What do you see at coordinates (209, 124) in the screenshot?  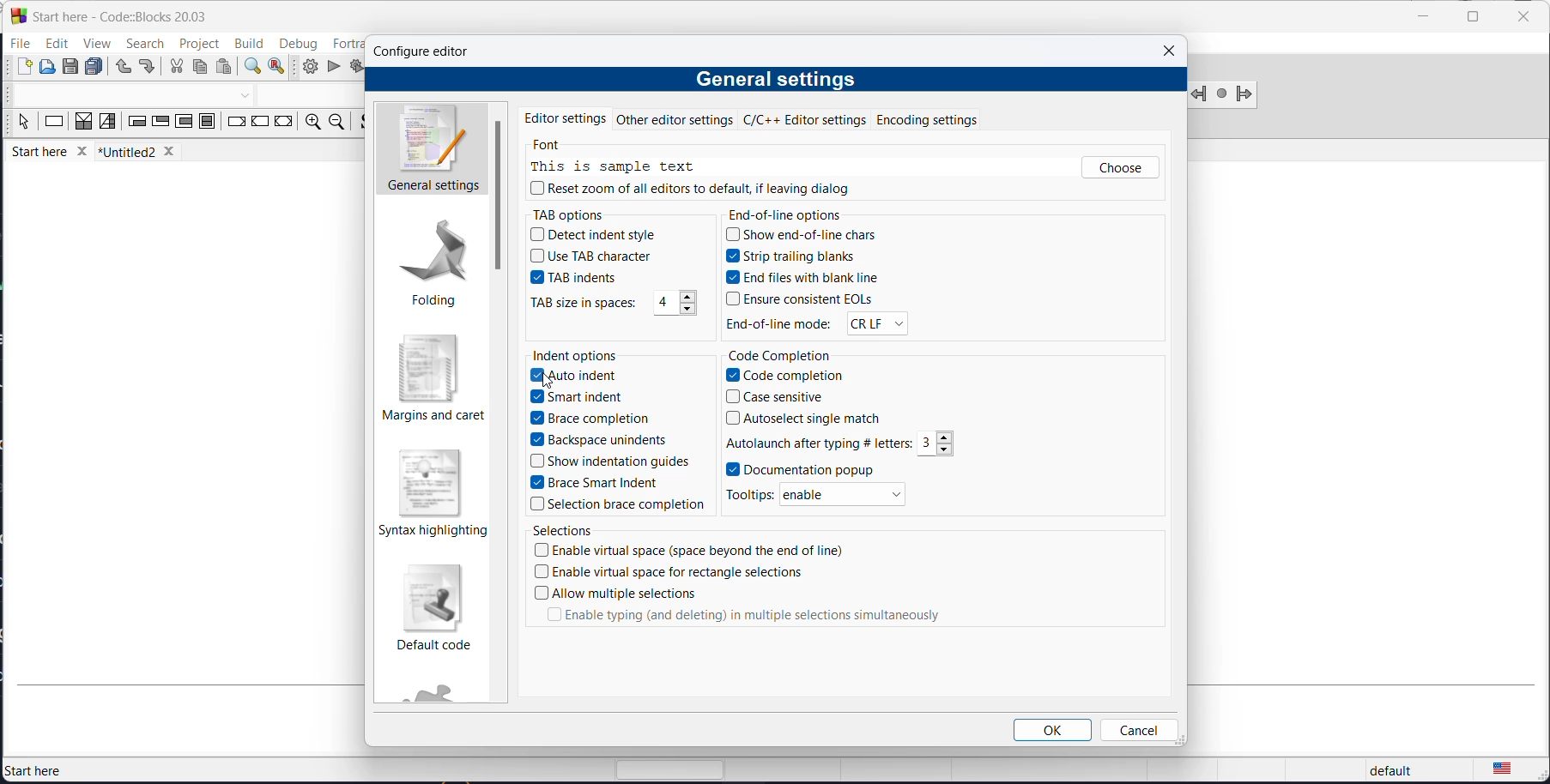 I see `block instruction` at bounding box center [209, 124].